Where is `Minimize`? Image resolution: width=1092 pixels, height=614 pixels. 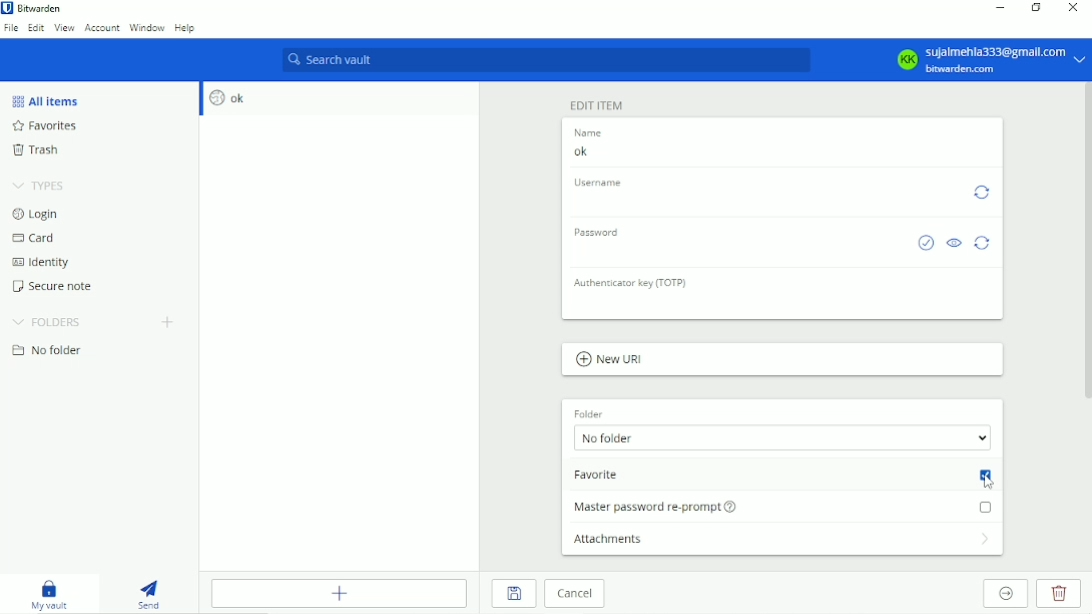
Minimize is located at coordinates (1000, 8).